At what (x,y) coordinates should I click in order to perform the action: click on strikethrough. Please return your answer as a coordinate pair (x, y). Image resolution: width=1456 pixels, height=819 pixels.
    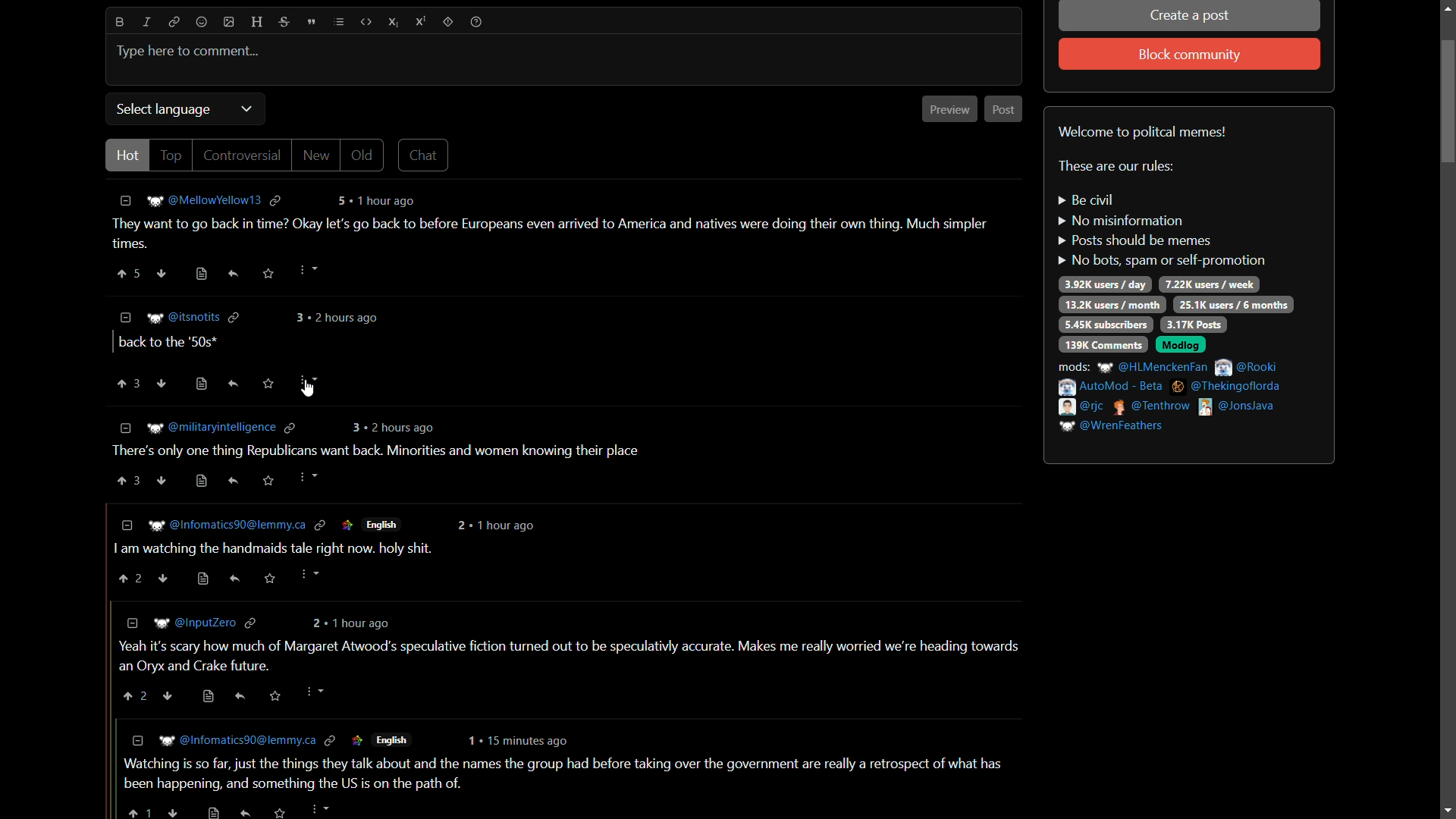
    Looking at the image, I should click on (281, 23).